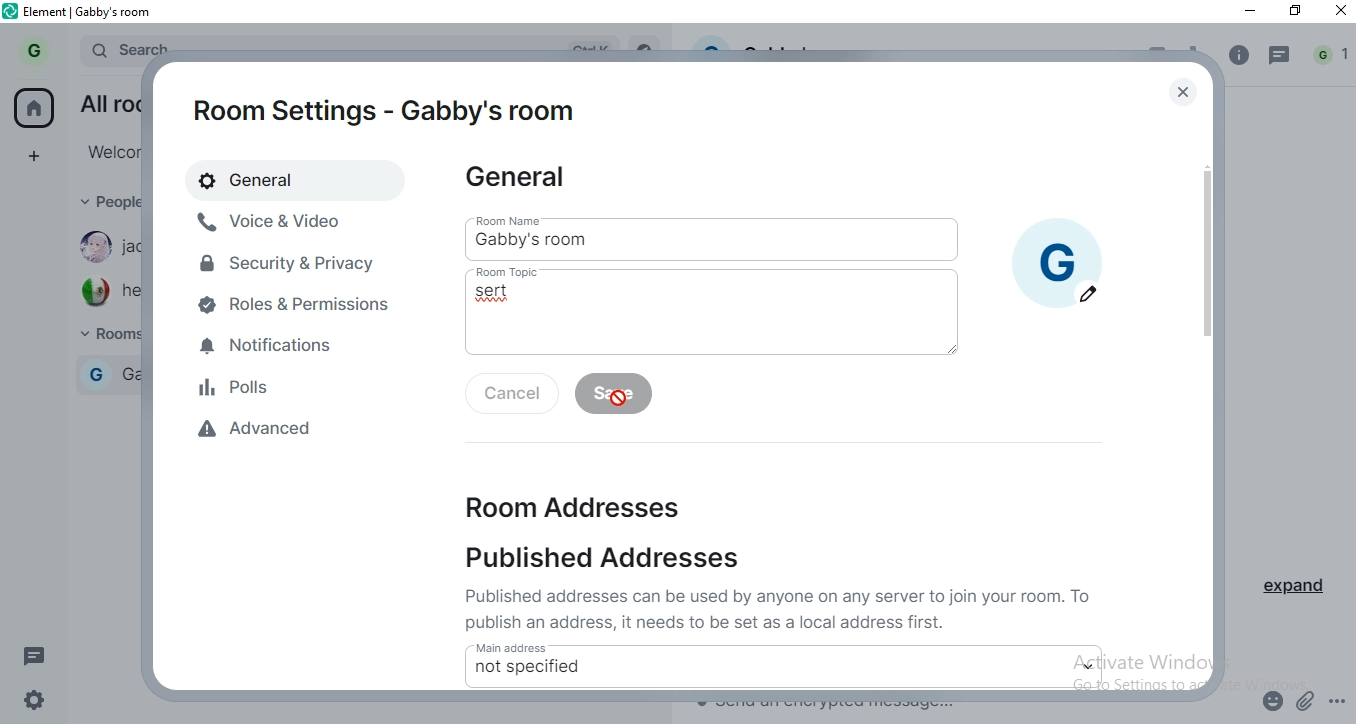 Image resolution: width=1356 pixels, height=724 pixels. What do you see at coordinates (106, 248) in the screenshot?
I see `jackmama` at bounding box center [106, 248].